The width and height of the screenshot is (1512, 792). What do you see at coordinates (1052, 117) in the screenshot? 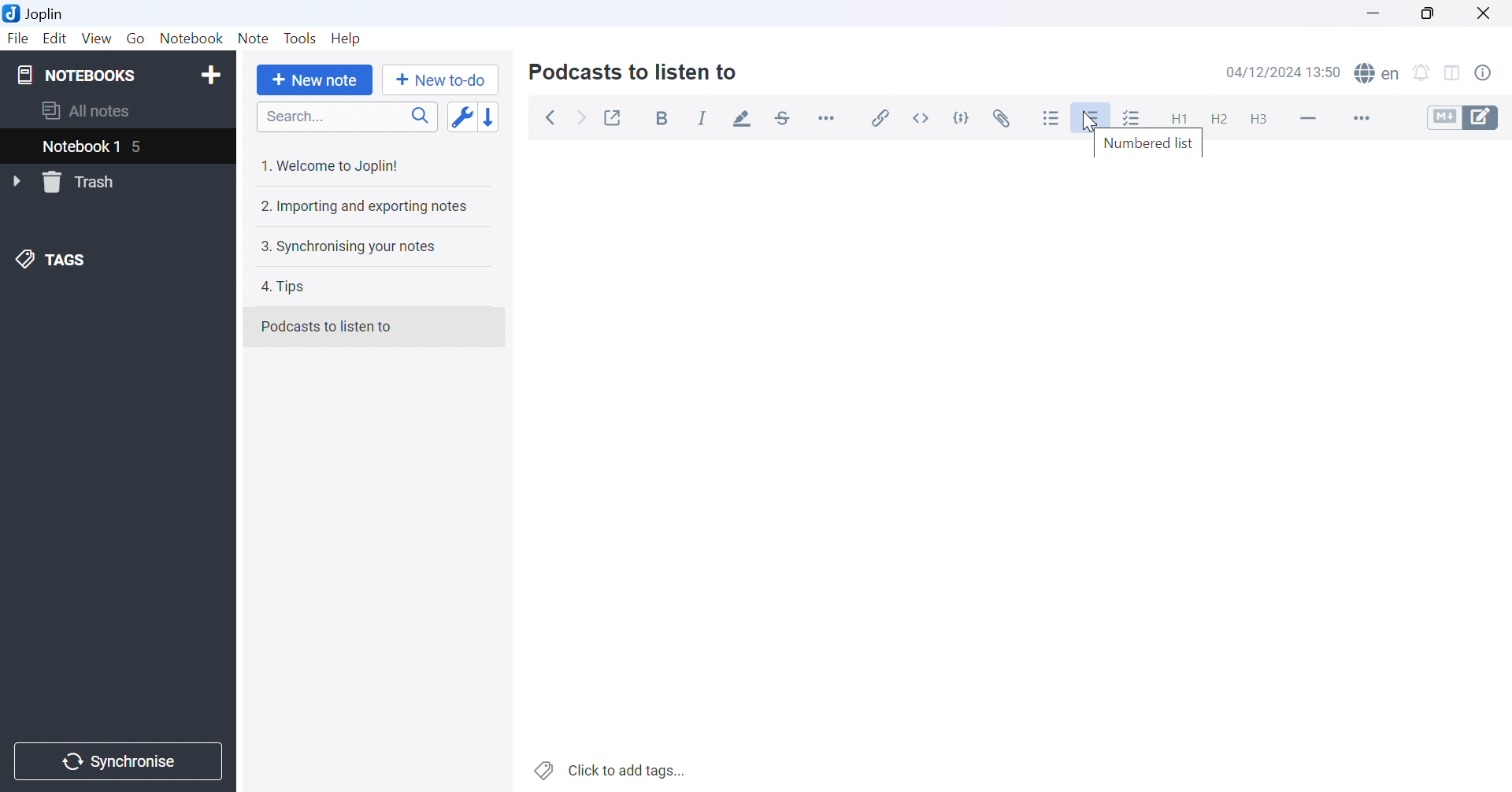
I see `Bulleted list` at bounding box center [1052, 117].